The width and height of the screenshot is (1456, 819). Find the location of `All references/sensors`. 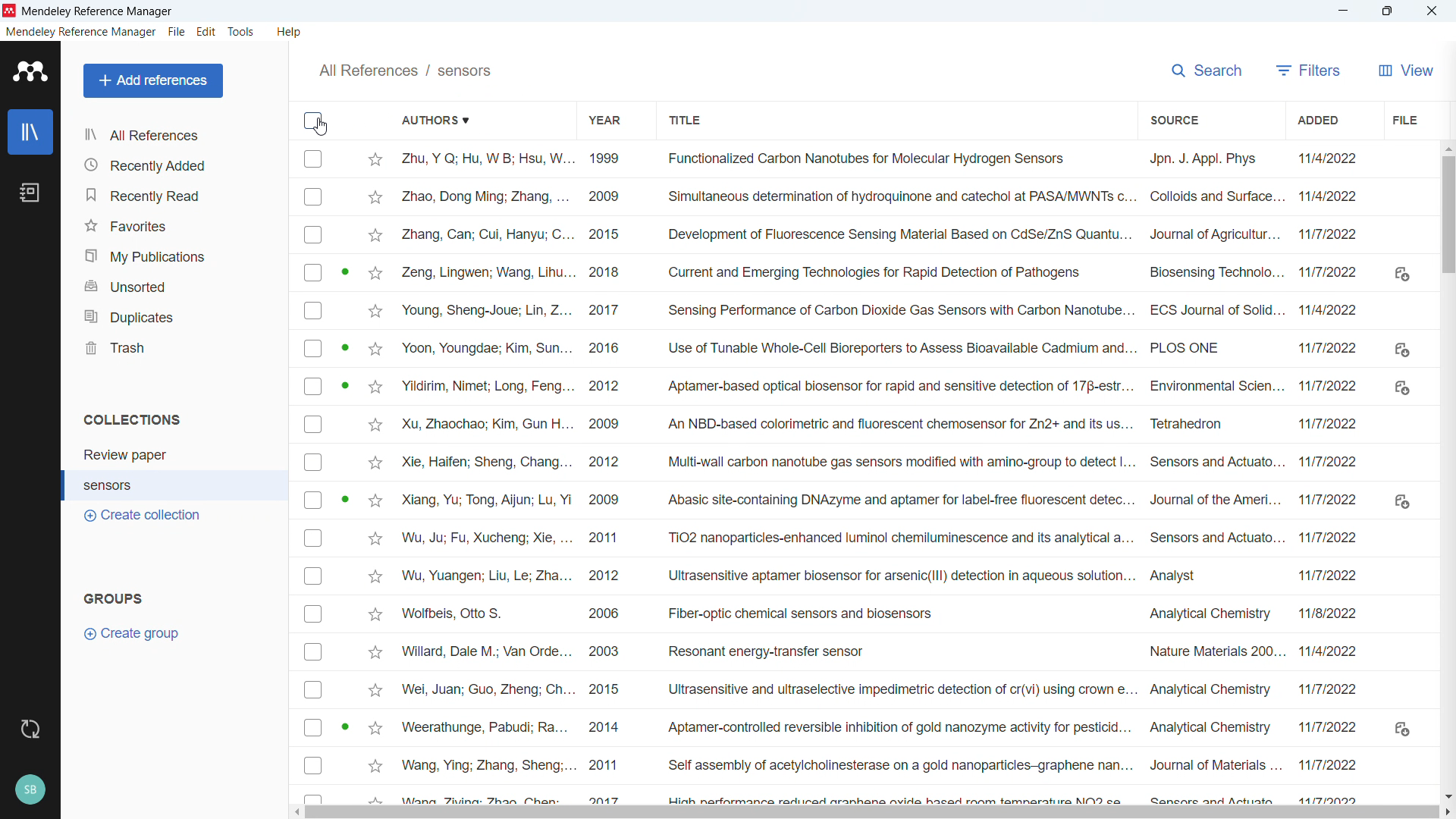

All references/sensors is located at coordinates (407, 73).